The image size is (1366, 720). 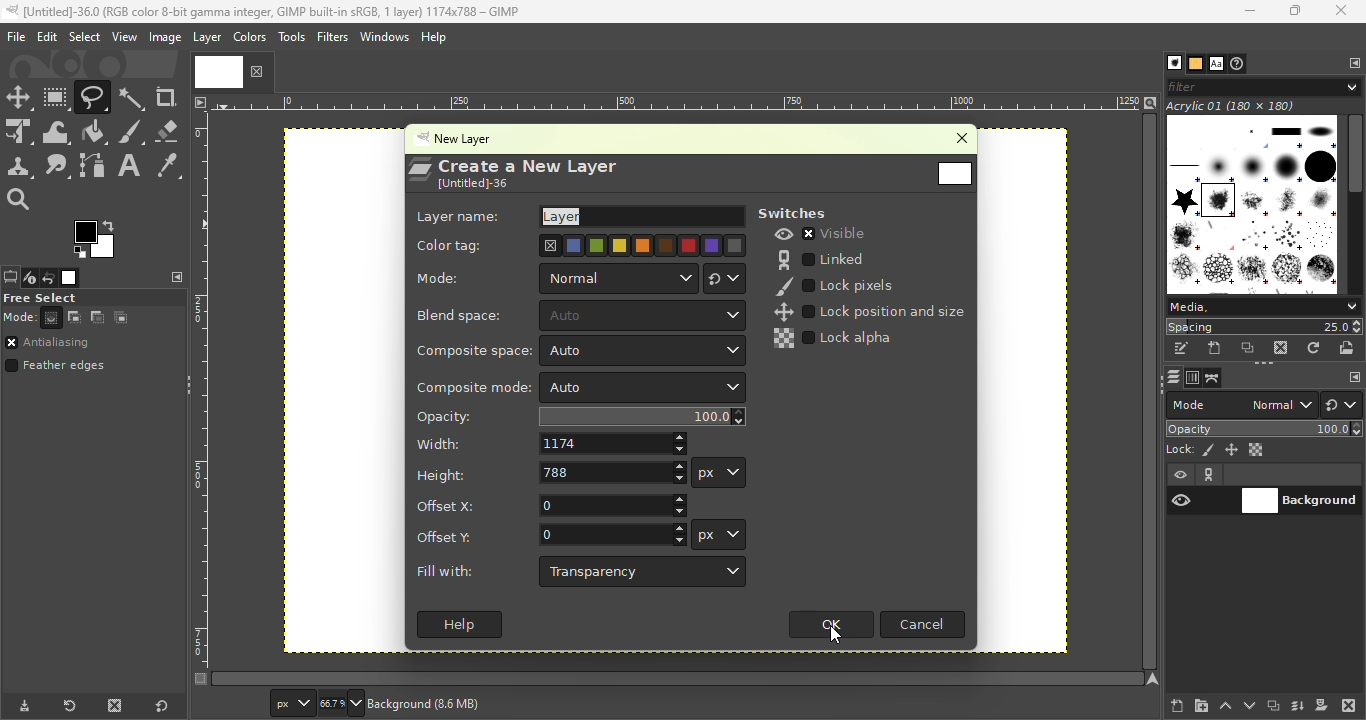 What do you see at coordinates (1272, 705) in the screenshot?
I see `Create a duplicate of the layer and add it to the image` at bounding box center [1272, 705].